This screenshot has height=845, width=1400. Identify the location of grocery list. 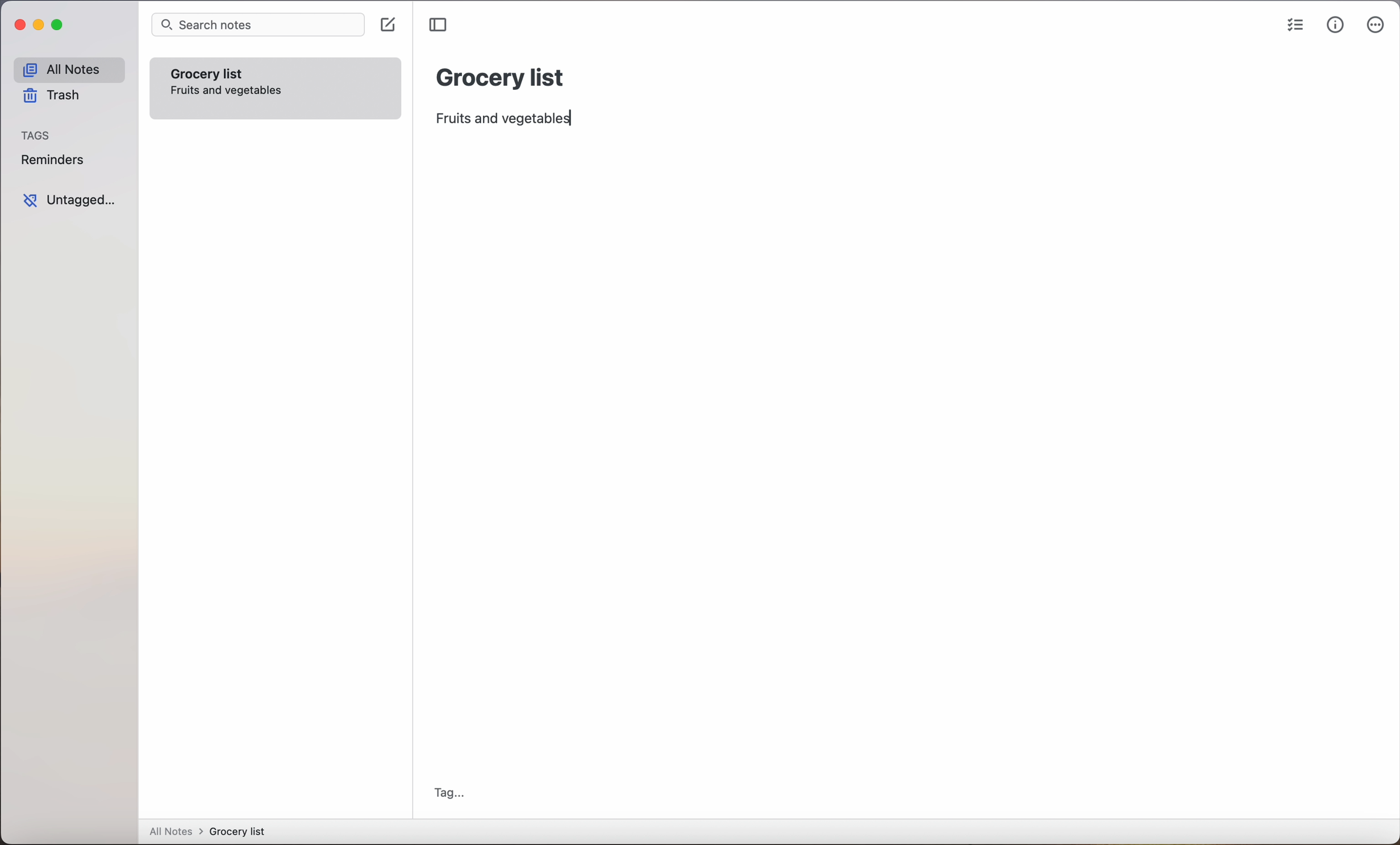
(501, 76).